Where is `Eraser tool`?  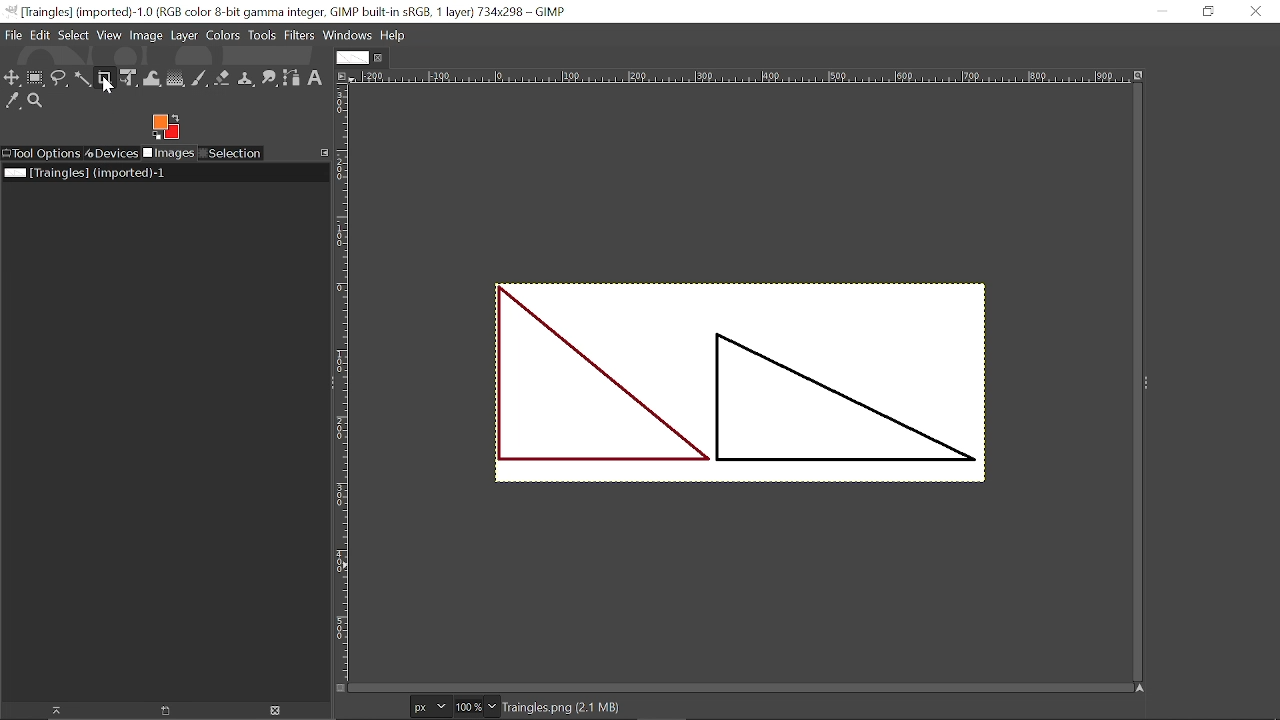 Eraser tool is located at coordinates (222, 78).